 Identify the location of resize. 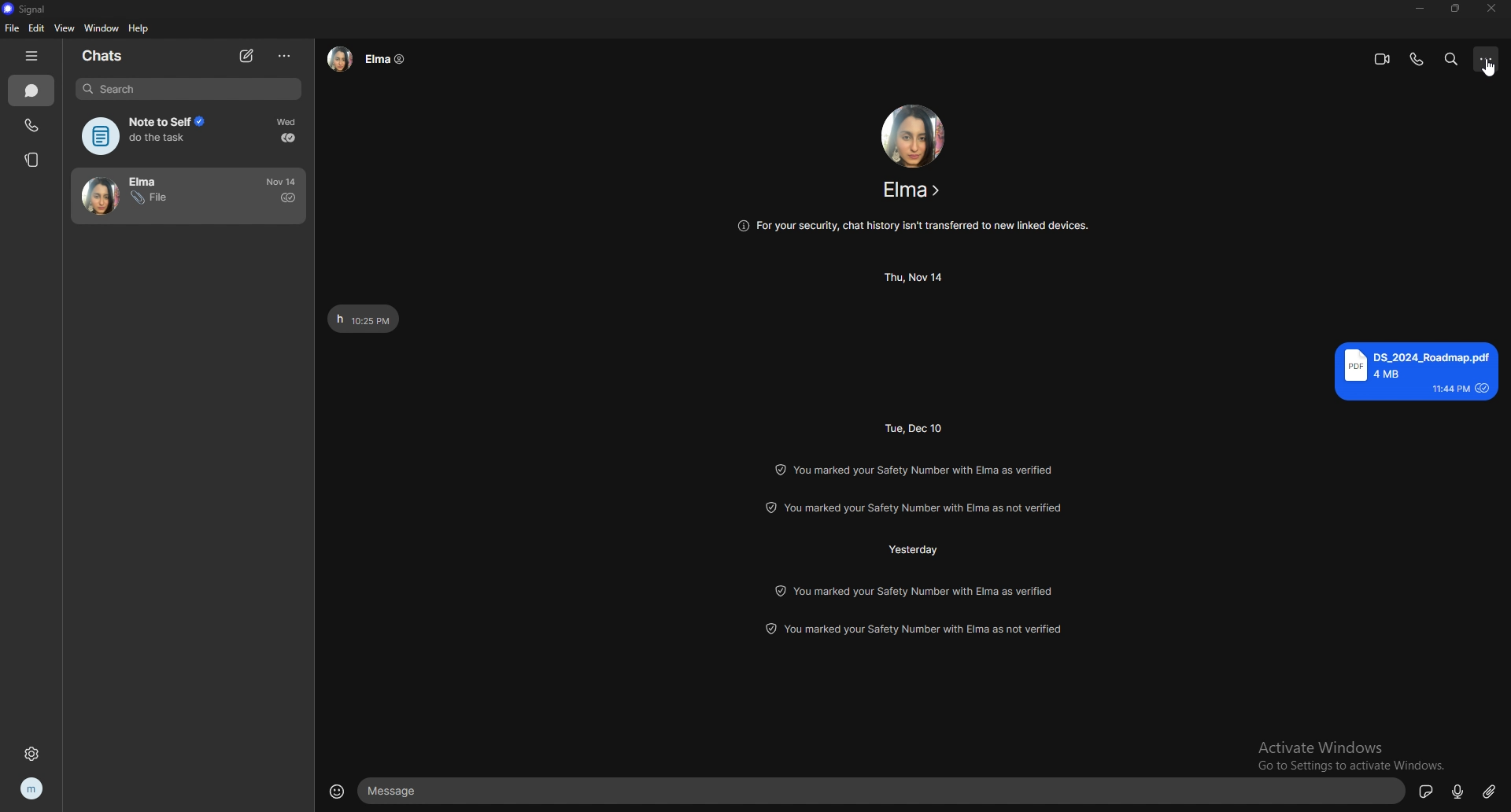
(1457, 9).